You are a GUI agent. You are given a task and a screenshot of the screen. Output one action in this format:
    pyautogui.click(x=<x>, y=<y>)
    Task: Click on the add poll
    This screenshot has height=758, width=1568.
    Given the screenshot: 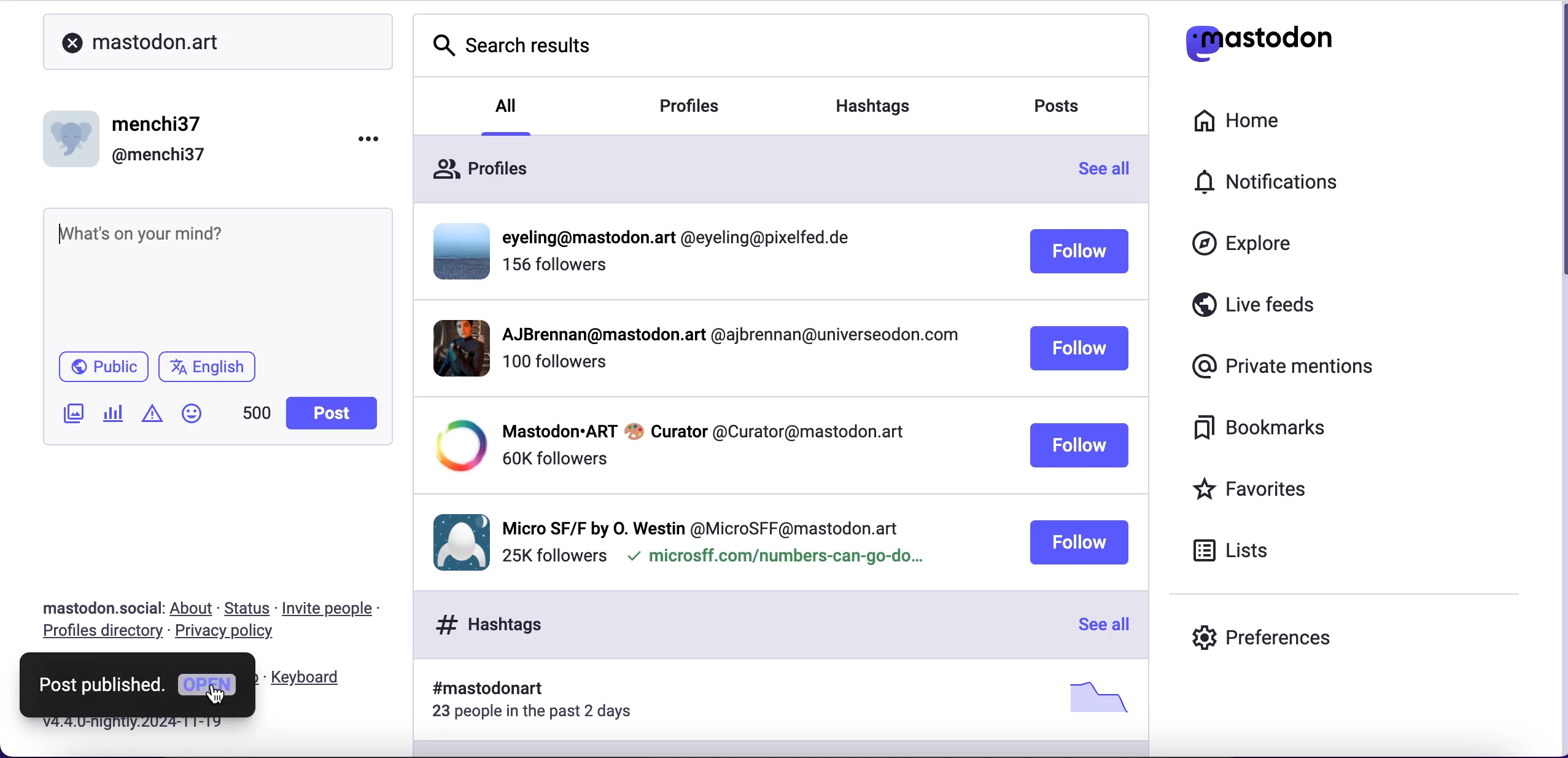 What is the action you would take?
    pyautogui.click(x=117, y=417)
    